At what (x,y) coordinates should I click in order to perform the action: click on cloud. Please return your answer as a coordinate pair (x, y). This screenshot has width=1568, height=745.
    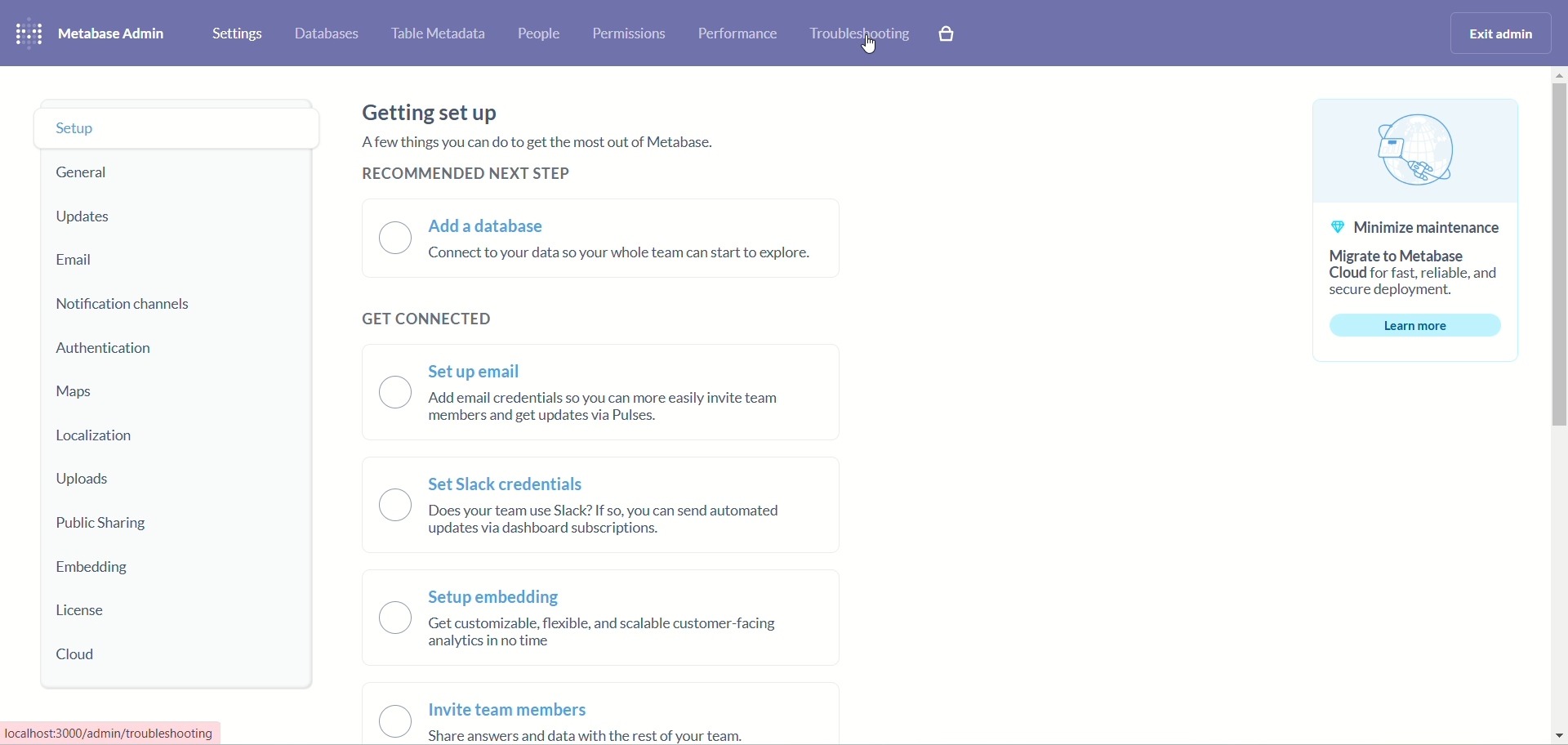
    Looking at the image, I should click on (89, 654).